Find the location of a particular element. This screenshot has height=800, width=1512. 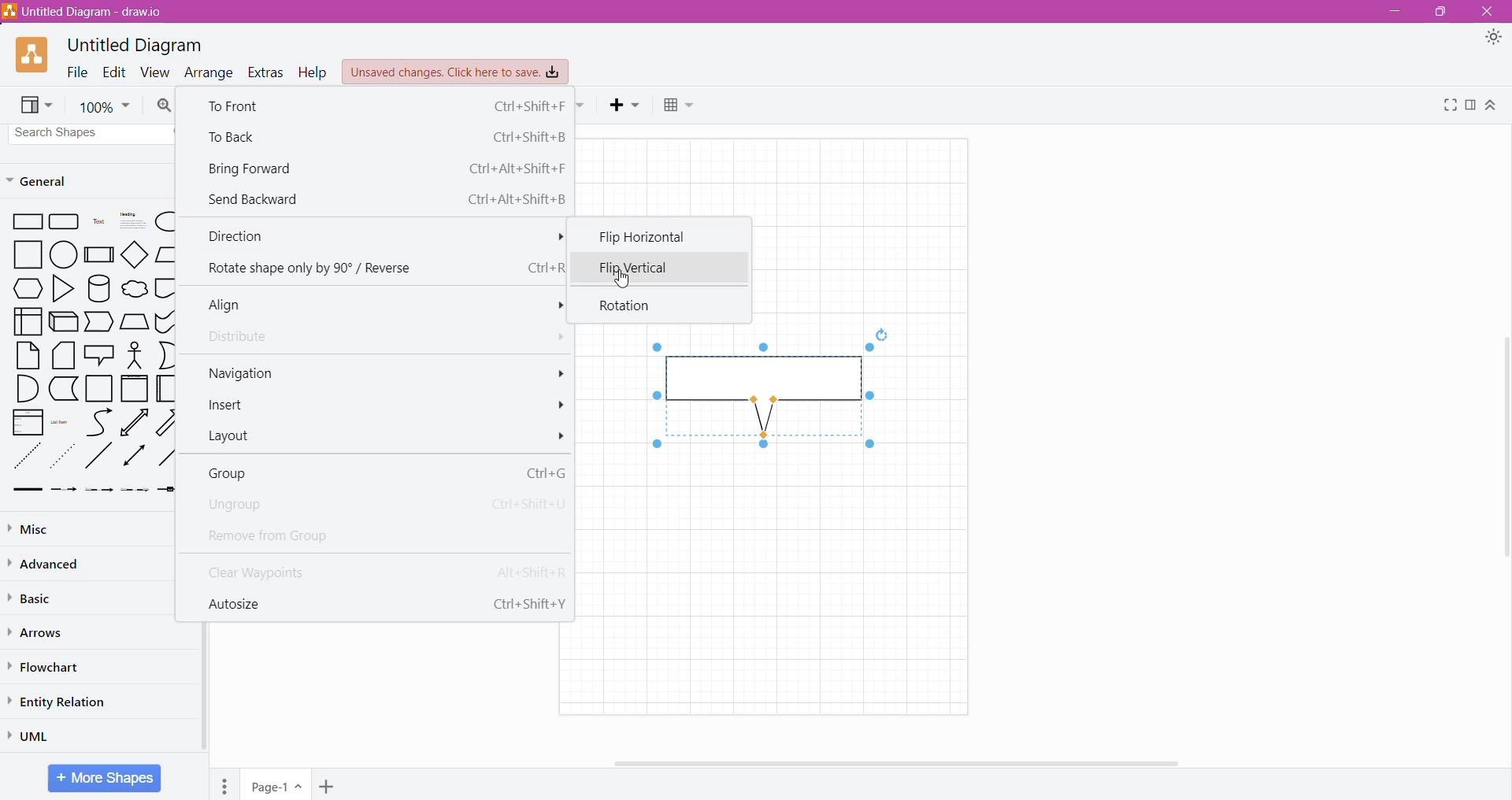

Dotted Arrow  is located at coordinates (135, 492).